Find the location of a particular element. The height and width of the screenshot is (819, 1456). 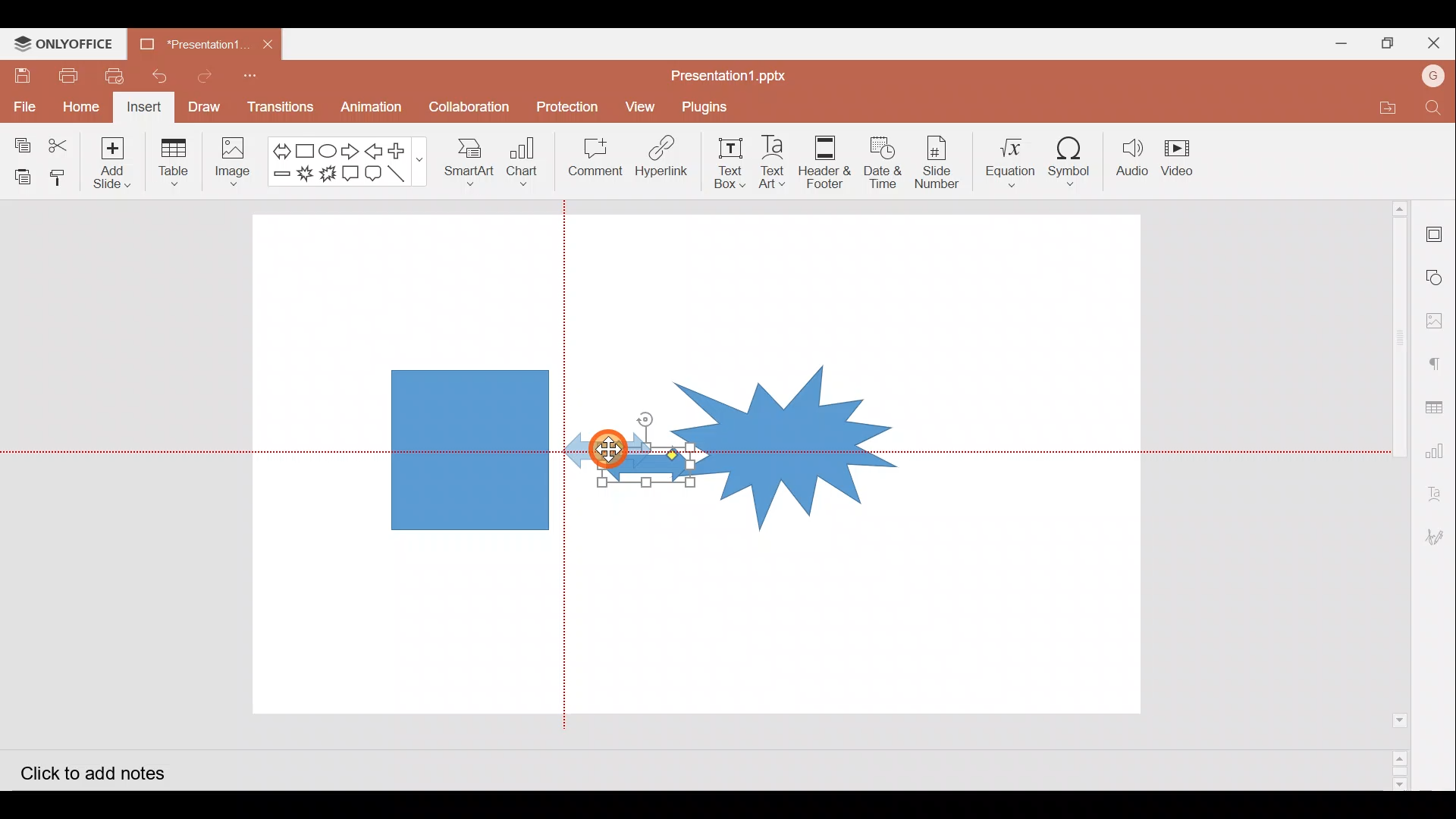

Paste is located at coordinates (21, 173).